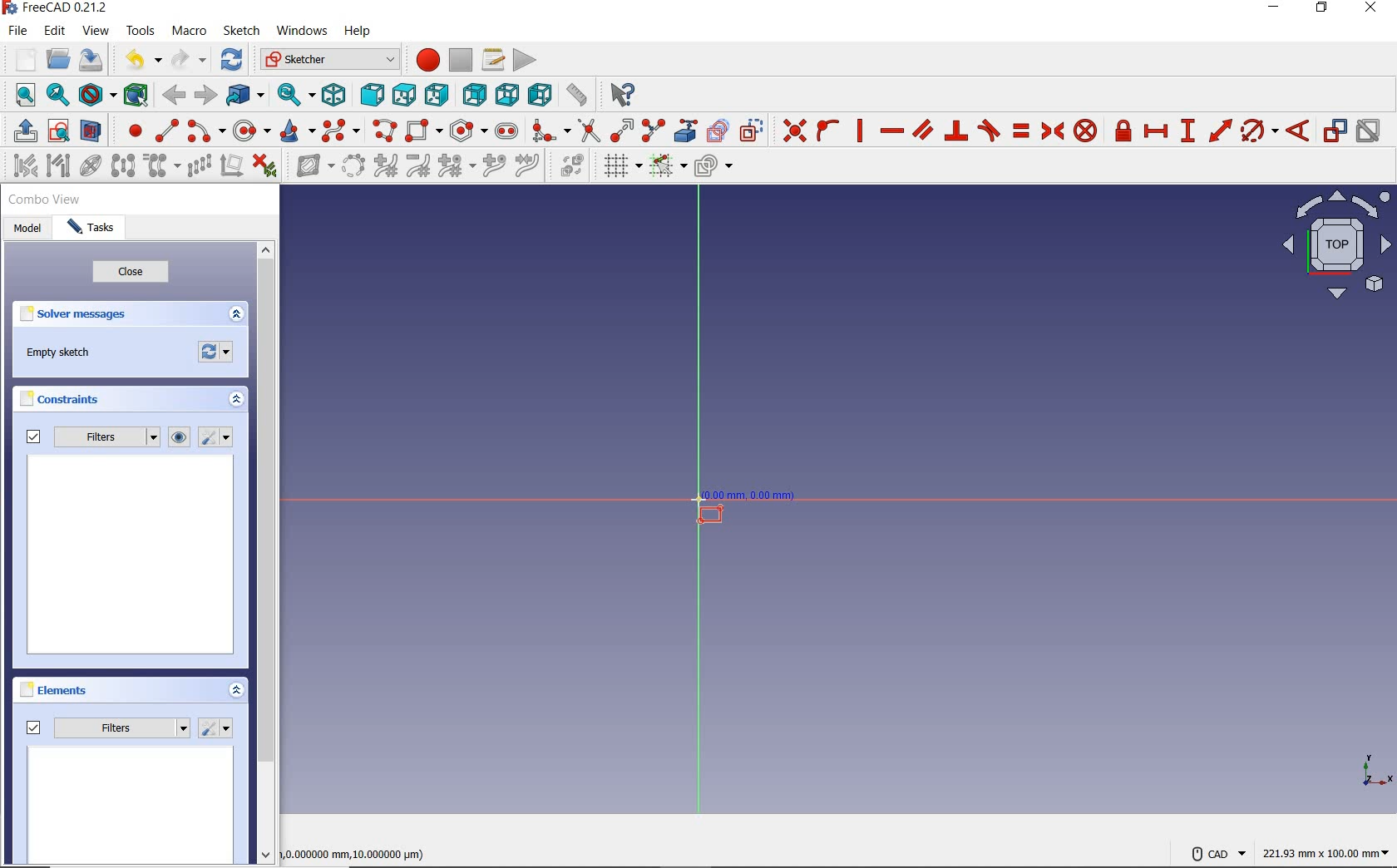  I want to click on CAD Navigation style, so click(1214, 852).